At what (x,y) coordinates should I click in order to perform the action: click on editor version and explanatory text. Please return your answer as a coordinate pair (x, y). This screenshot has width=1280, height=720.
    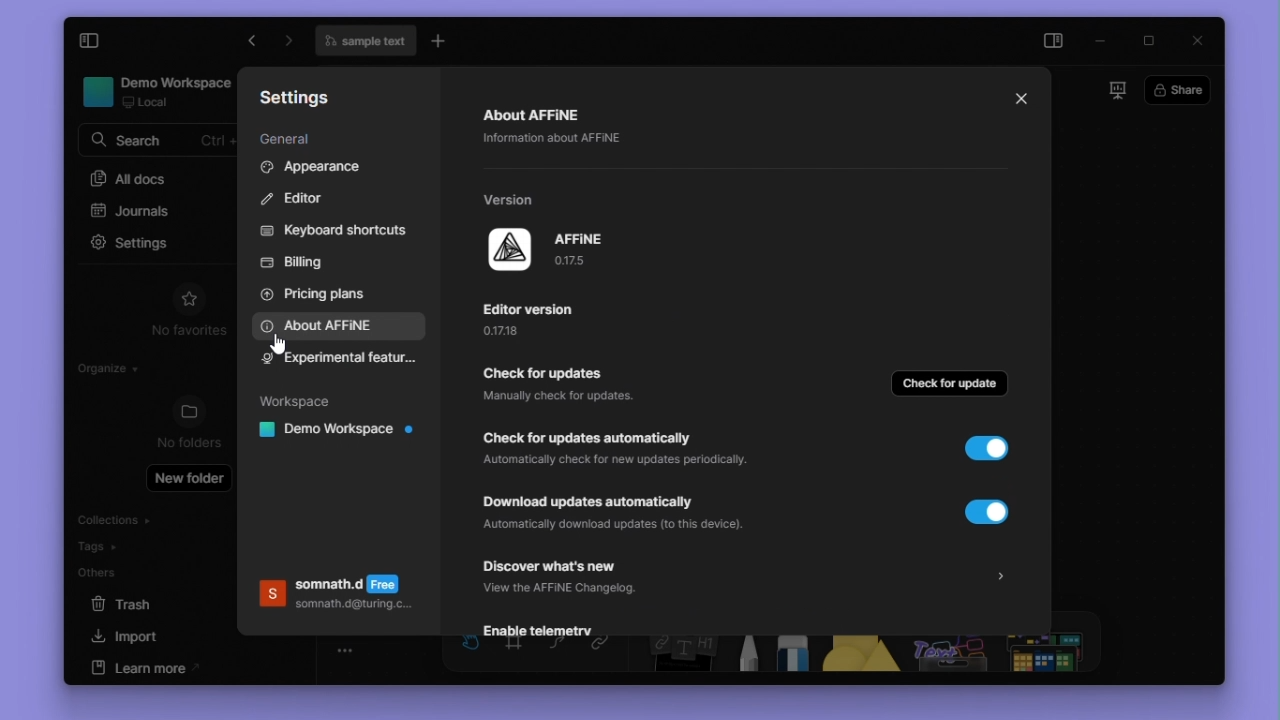
    Looking at the image, I should click on (526, 320).